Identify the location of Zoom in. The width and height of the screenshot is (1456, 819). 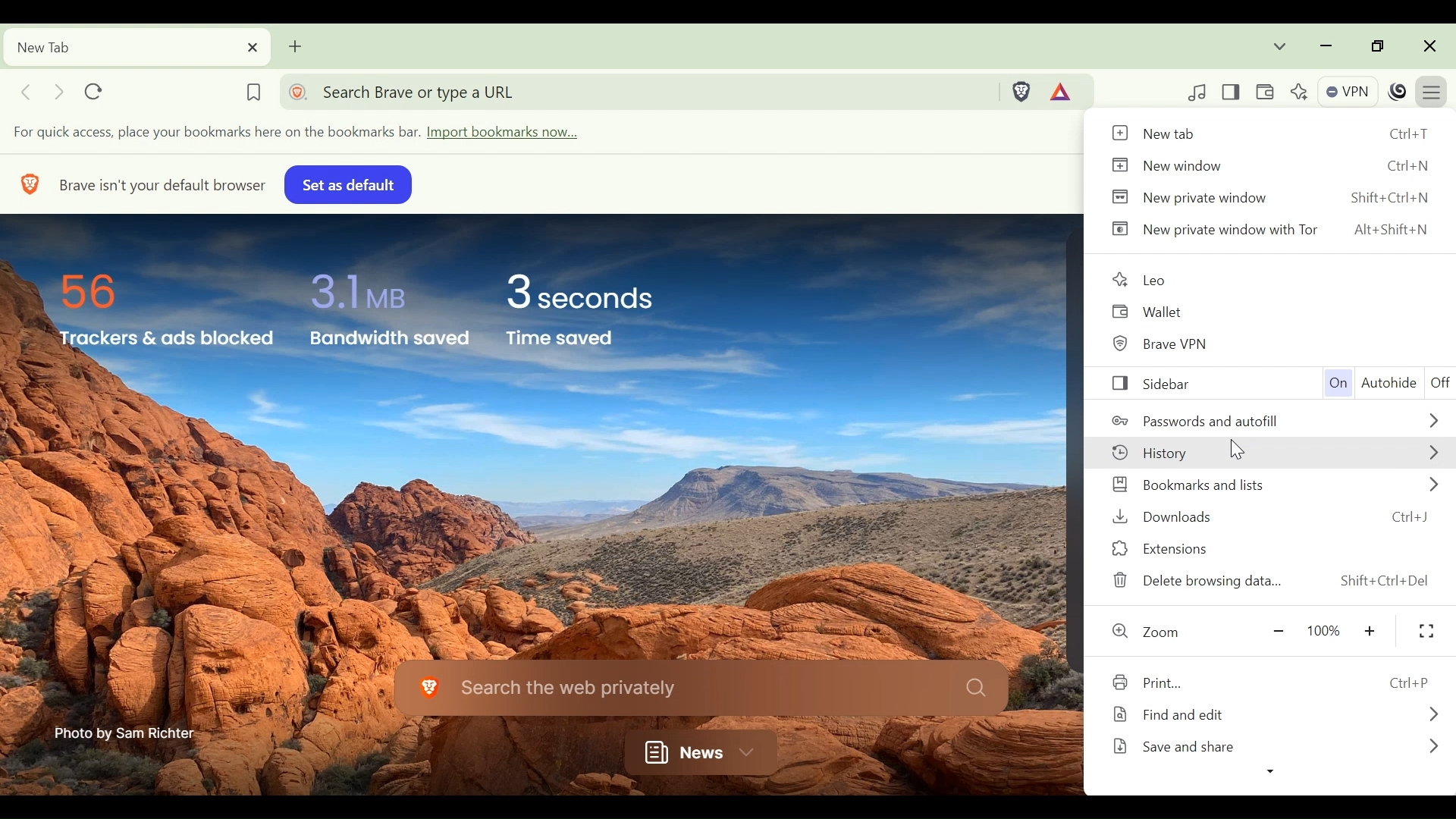
(1373, 631).